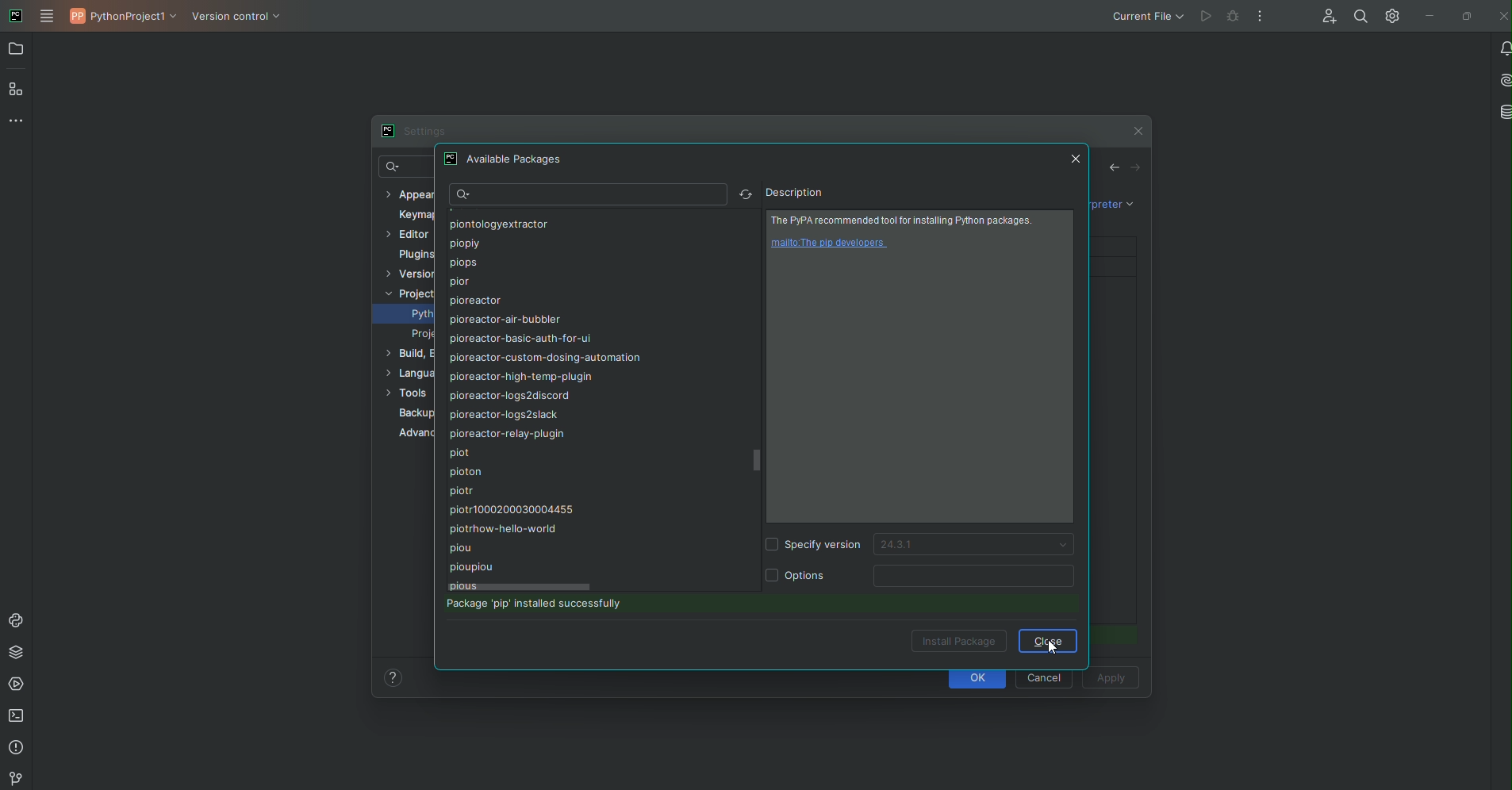 Image resolution: width=1512 pixels, height=790 pixels. What do you see at coordinates (392, 677) in the screenshot?
I see `Help` at bounding box center [392, 677].